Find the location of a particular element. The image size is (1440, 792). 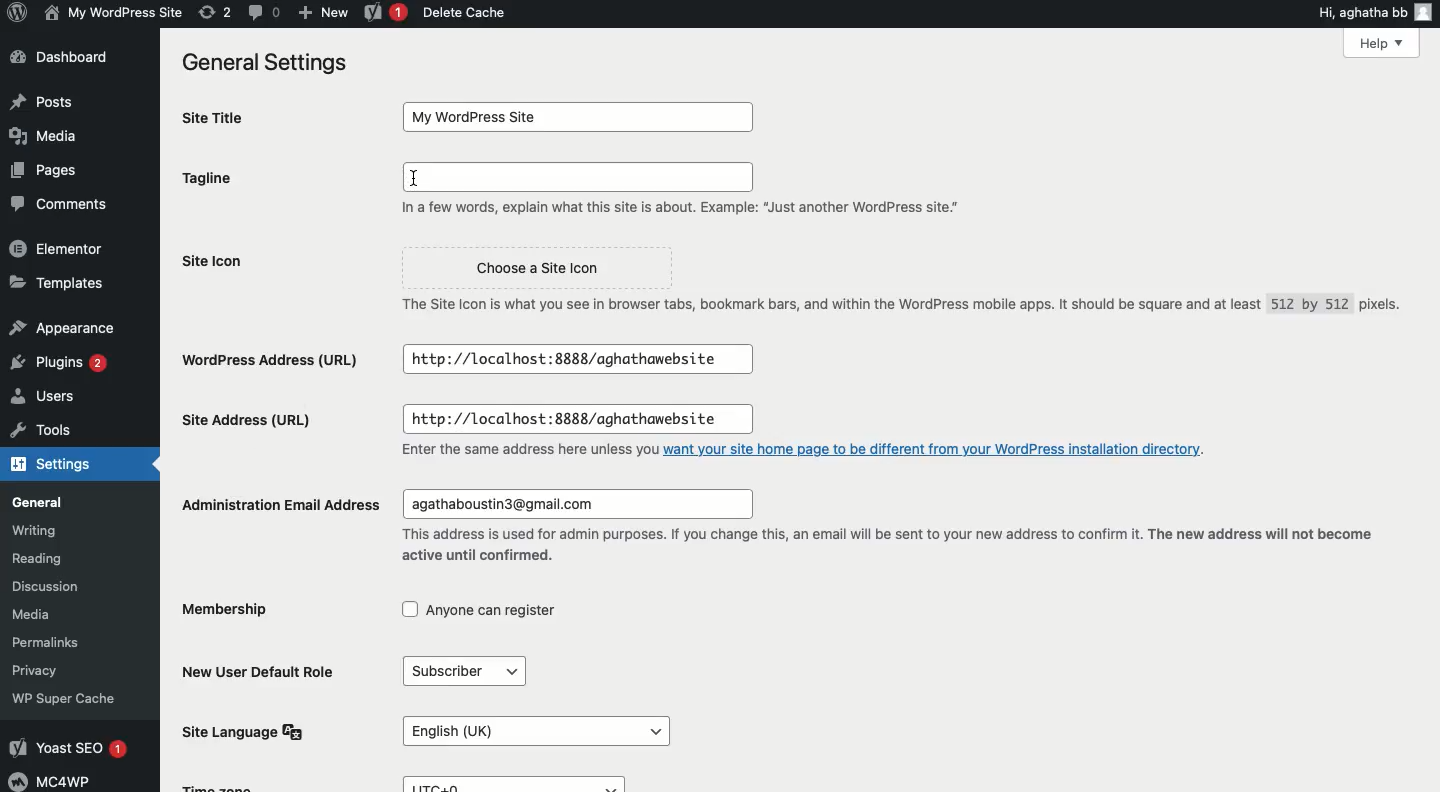

My wordpress Site is located at coordinates (111, 12).